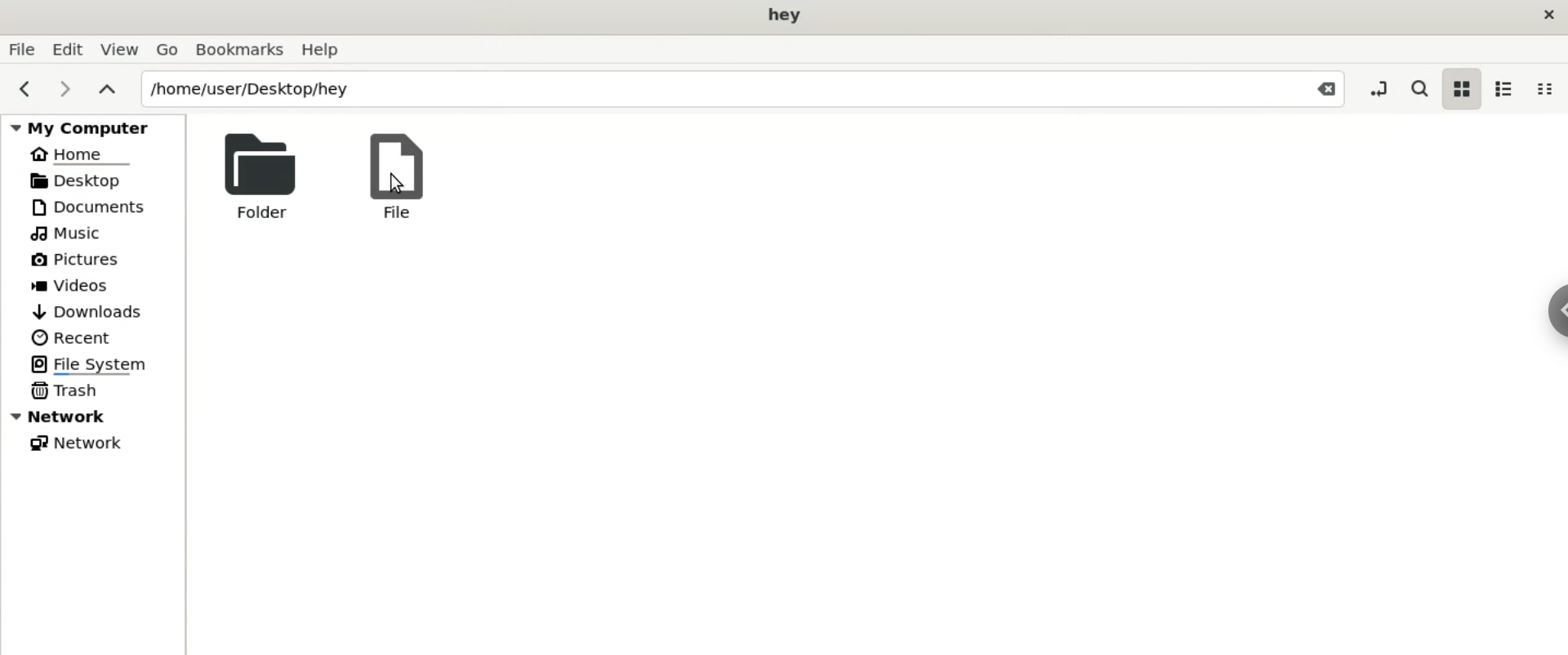 The height and width of the screenshot is (655, 1568). Describe the element at coordinates (95, 365) in the screenshot. I see `file system` at that location.